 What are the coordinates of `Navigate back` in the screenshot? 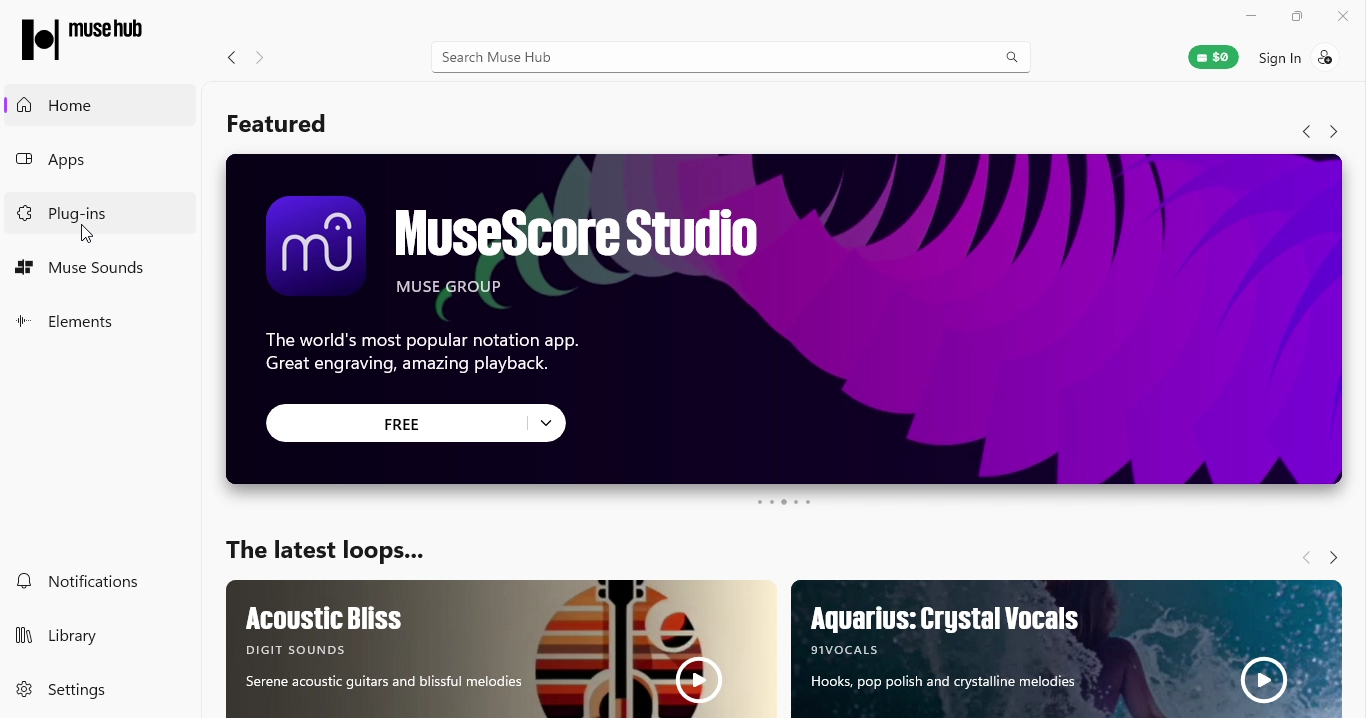 It's located at (1305, 558).